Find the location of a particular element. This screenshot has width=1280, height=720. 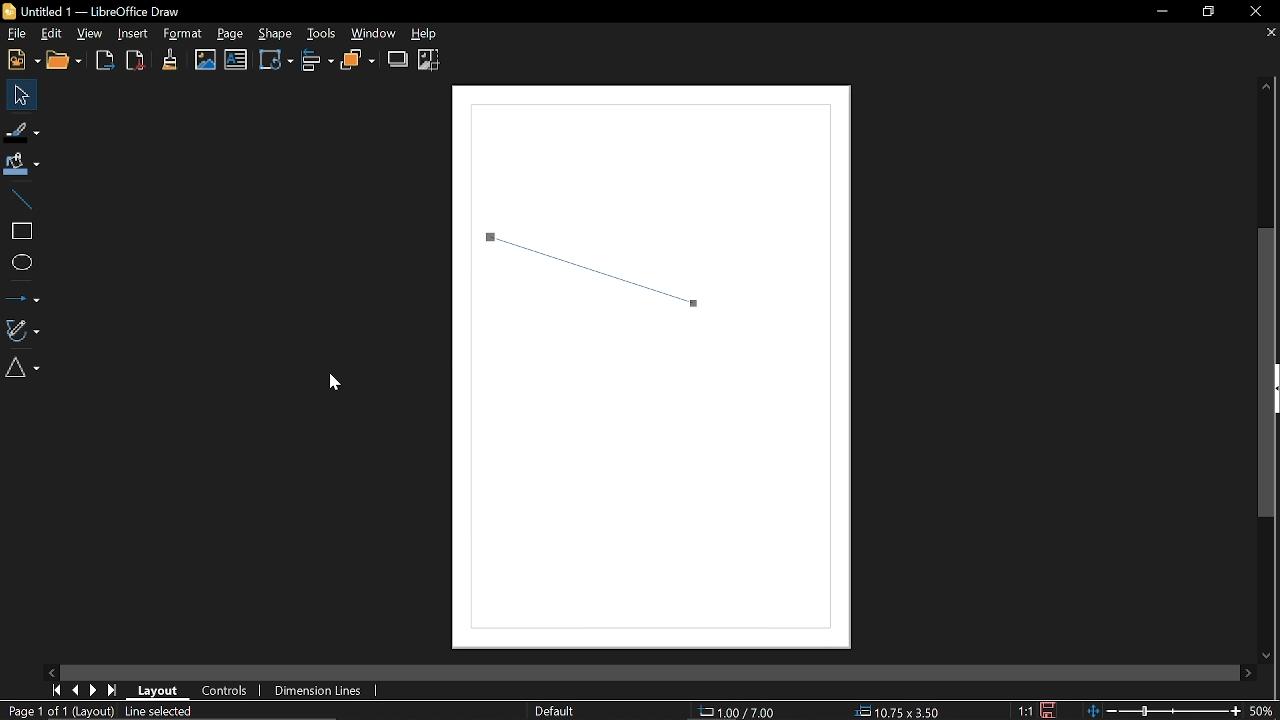

Current page is located at coordinates (56, 711).